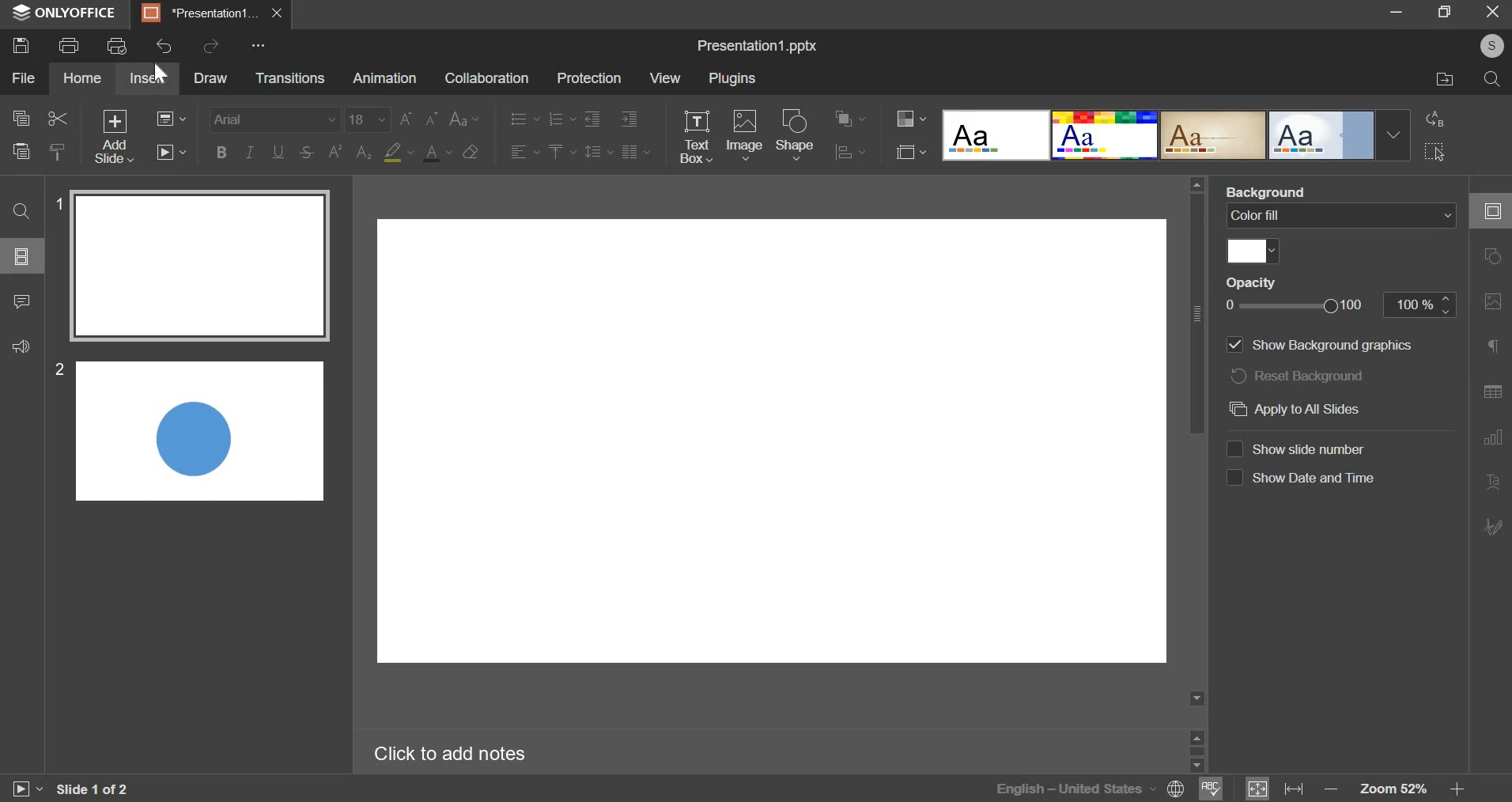 The height and width of the screenshot is (802, 1512). I want to click on decrease zoom, so click(1332, 789).